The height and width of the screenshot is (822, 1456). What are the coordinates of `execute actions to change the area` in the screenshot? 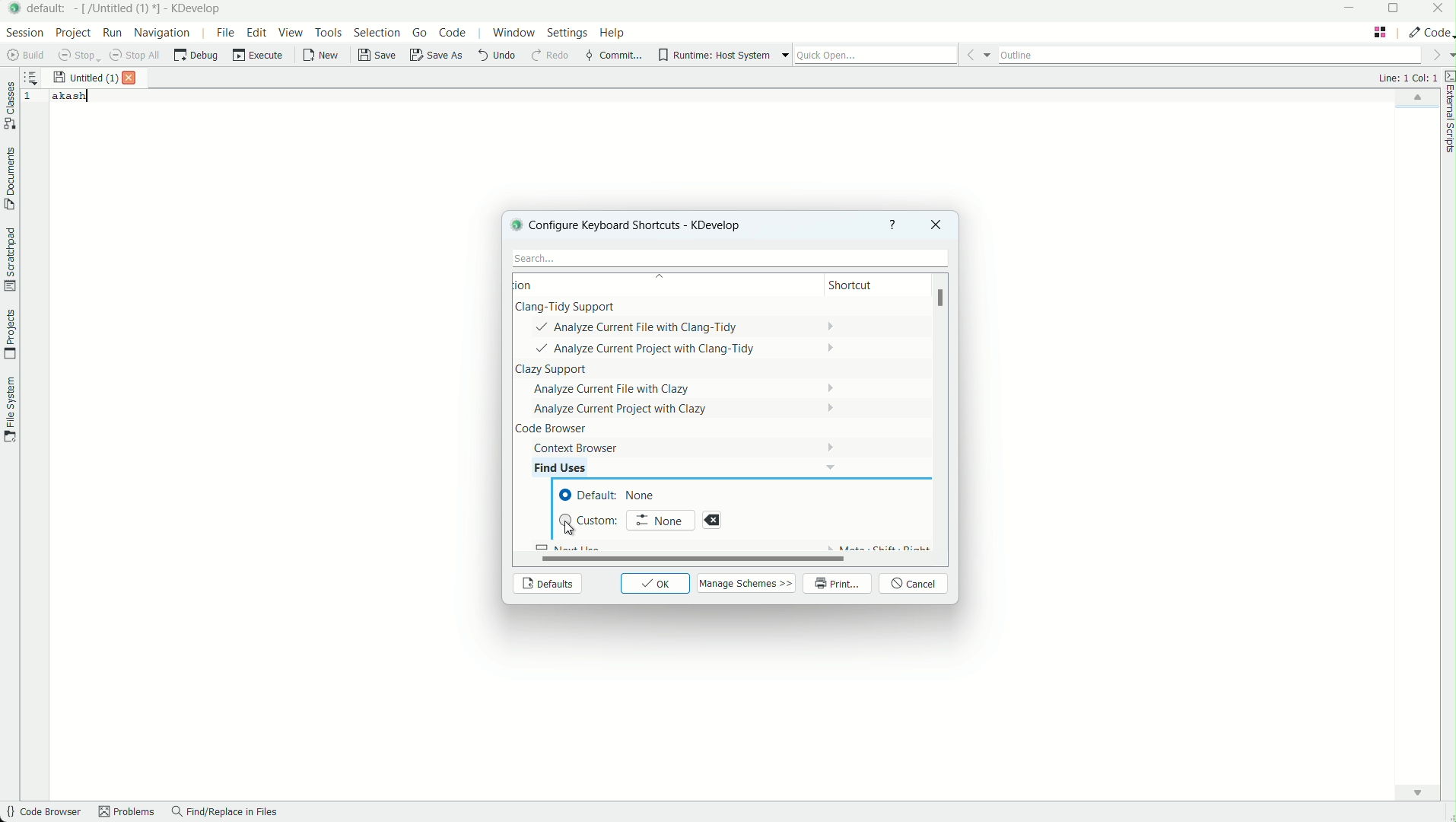 It's located at (1429, 32).